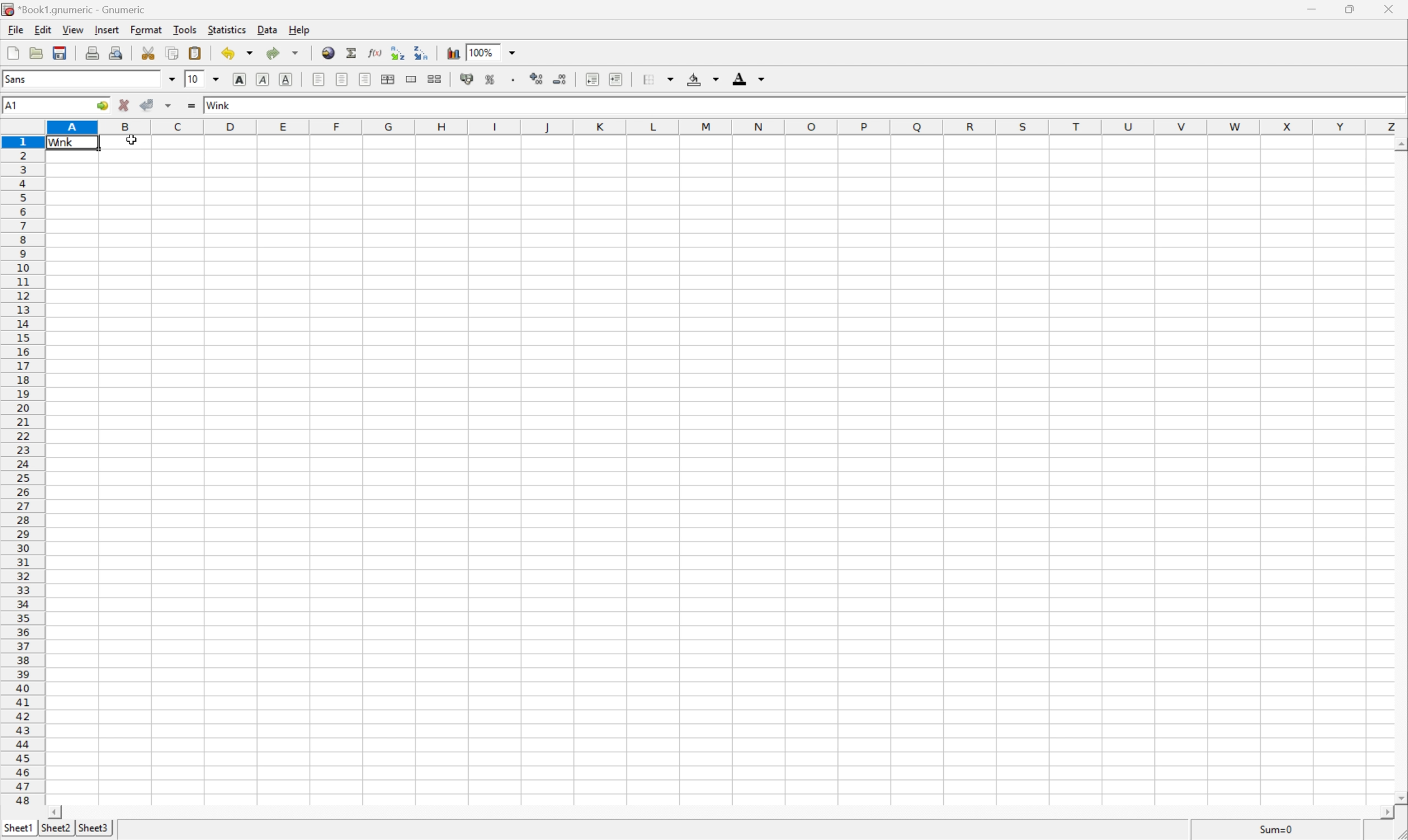  I want to click on help, so click(299, 31).